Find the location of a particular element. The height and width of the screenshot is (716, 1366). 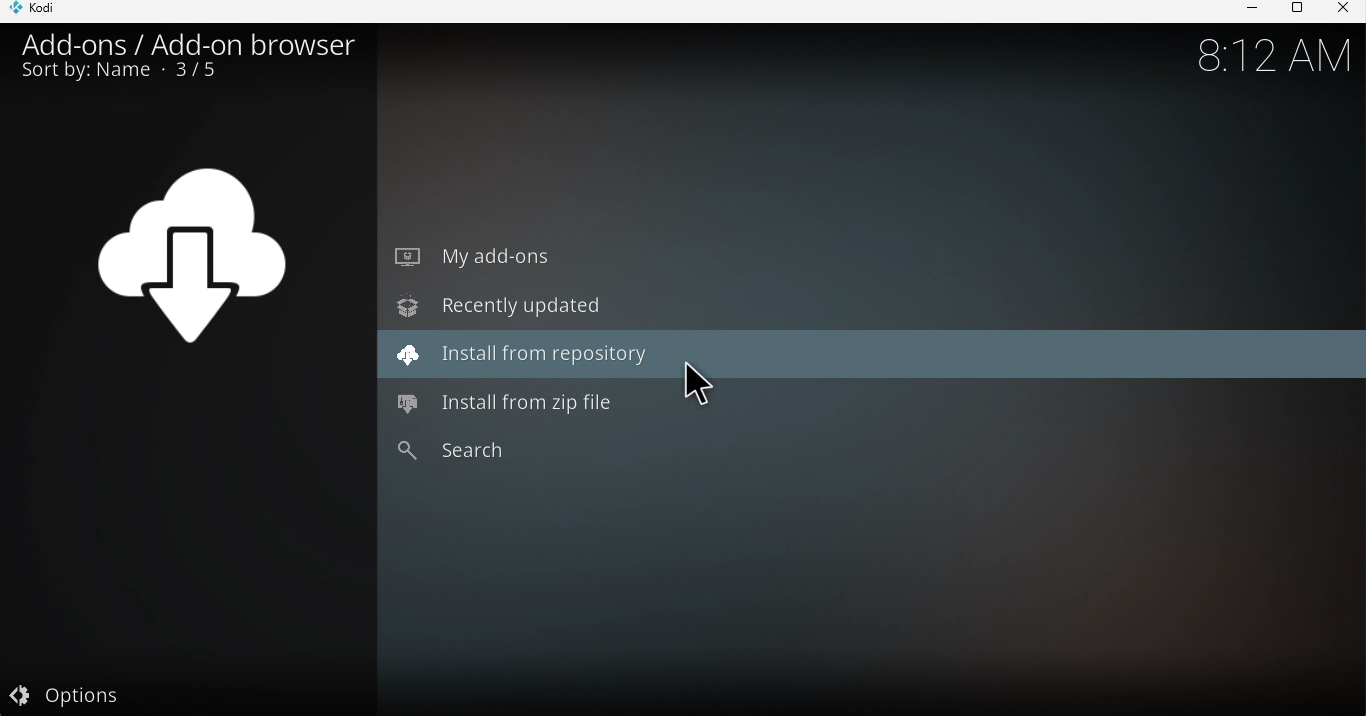

Maximize is located at coordinates (1293, 11).